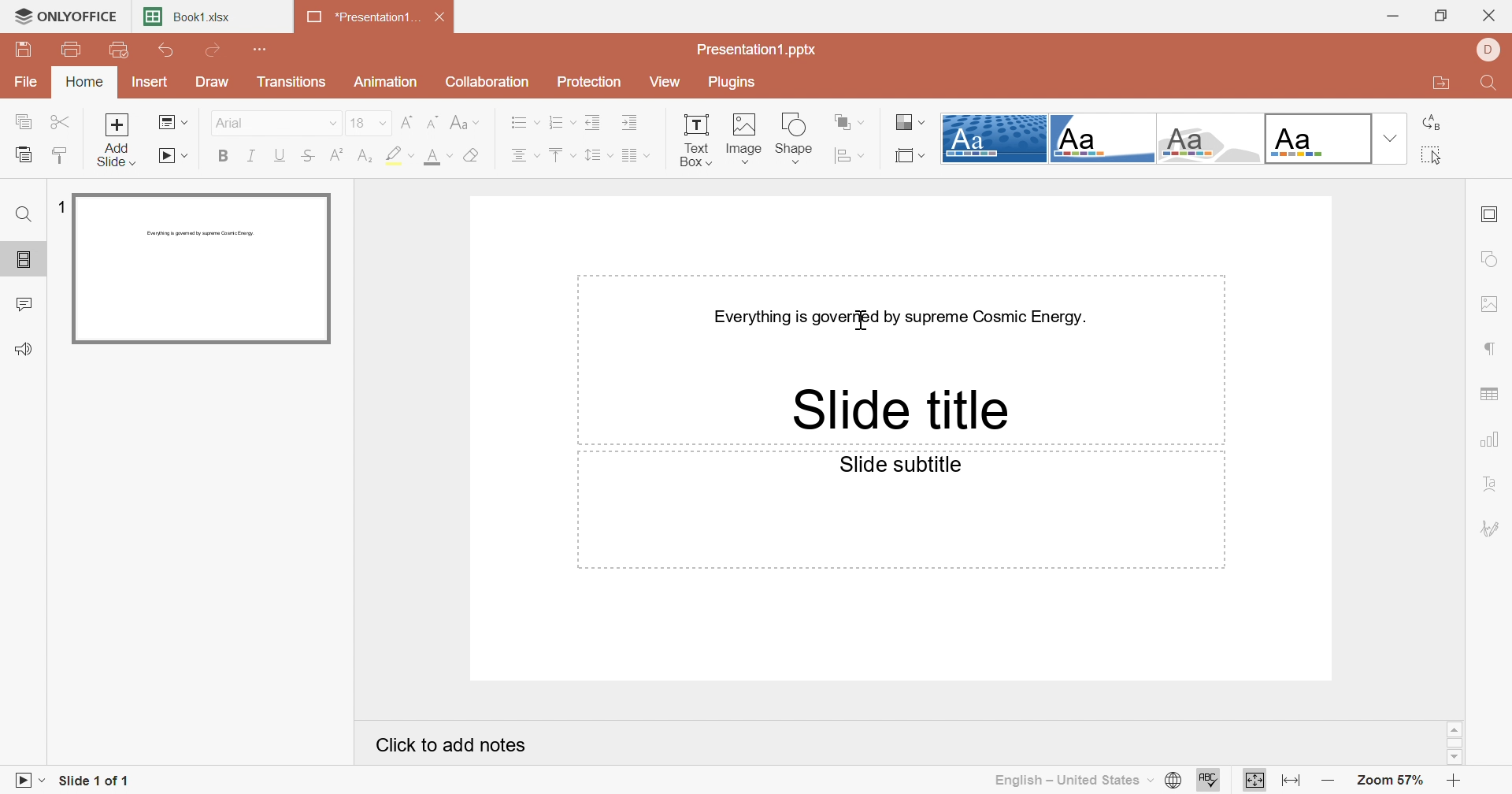 The width and height of the screenshot is (1512, 794). What do you see at coordinates (276, 123) in the screenshot?
I see `Arial` at bounding box center [276, 123].